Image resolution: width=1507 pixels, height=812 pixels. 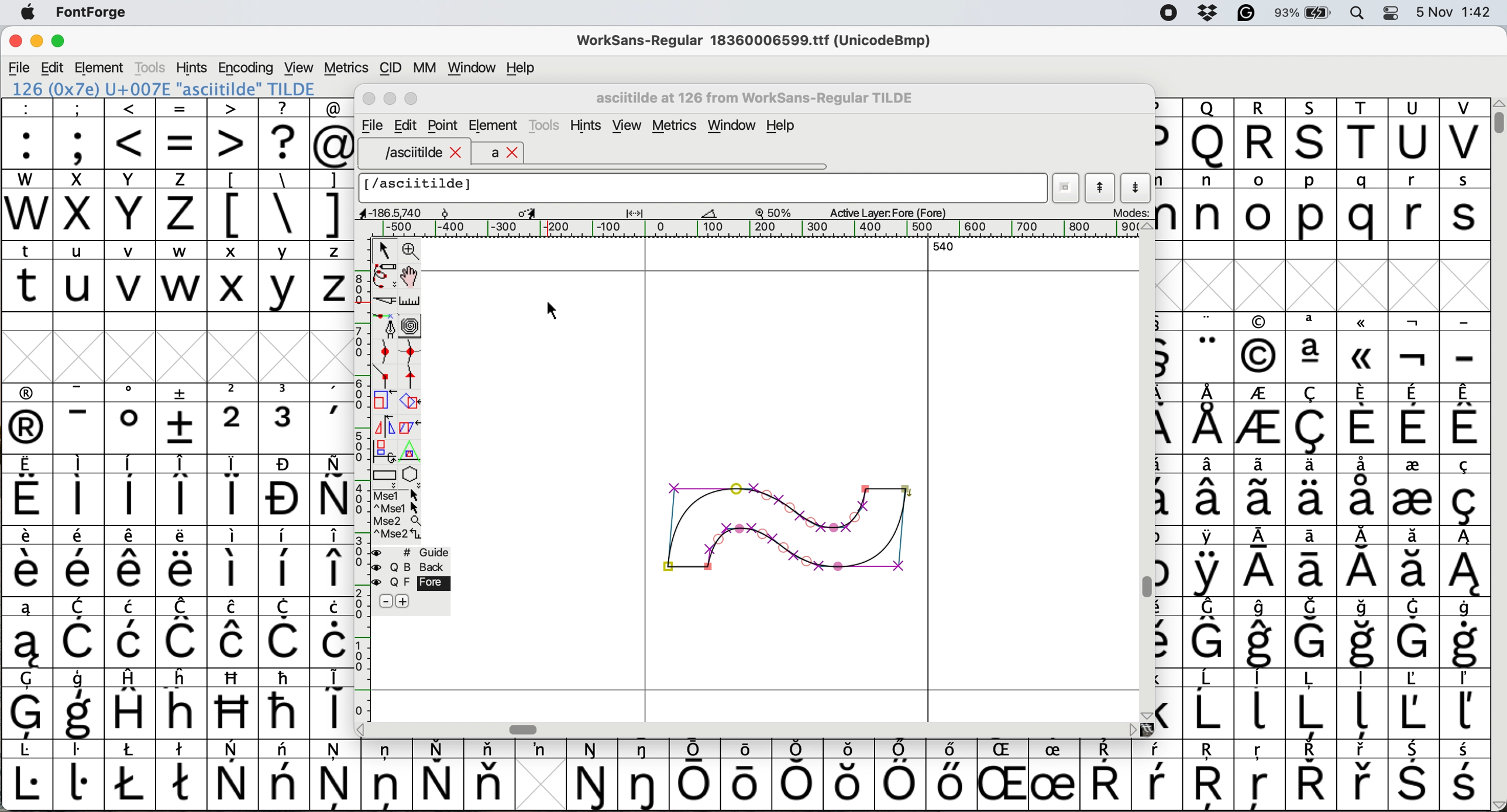 What do you see at coordinates (1259, 348) in the screenshot?
I see `` at bounding box center [1259, 348].